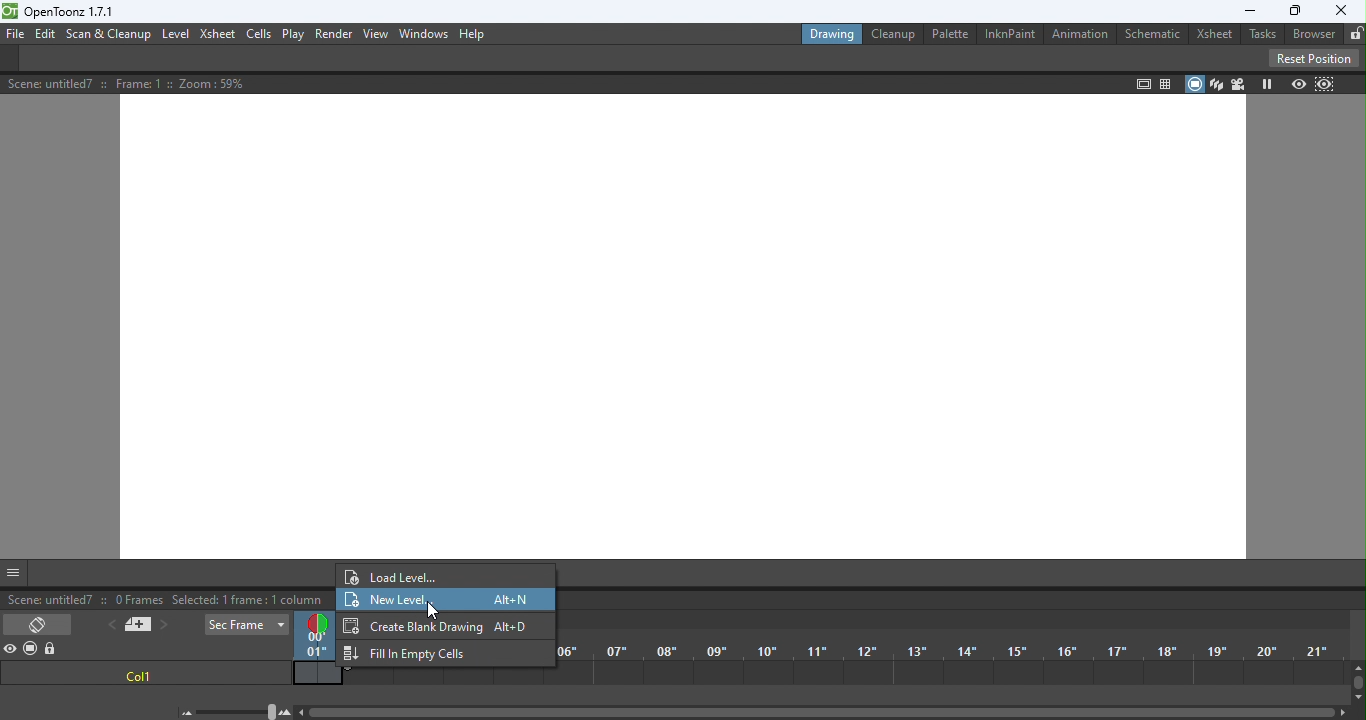  Describe the element at coordinates (1265, 84) in the screenshot. I see `Freeze` at that location.